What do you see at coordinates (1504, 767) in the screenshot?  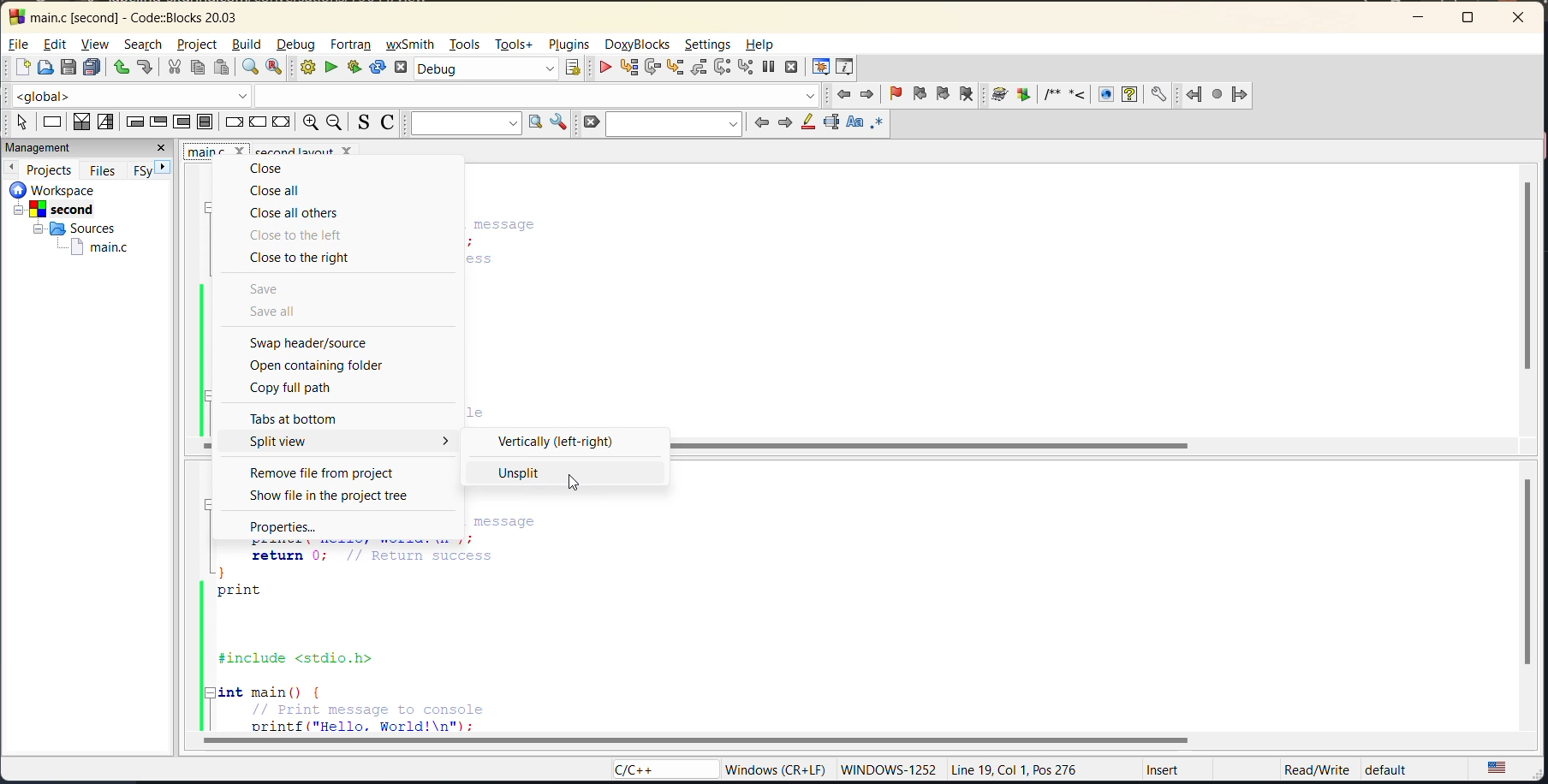 I see `text language` at bounding box center [1504, 767].